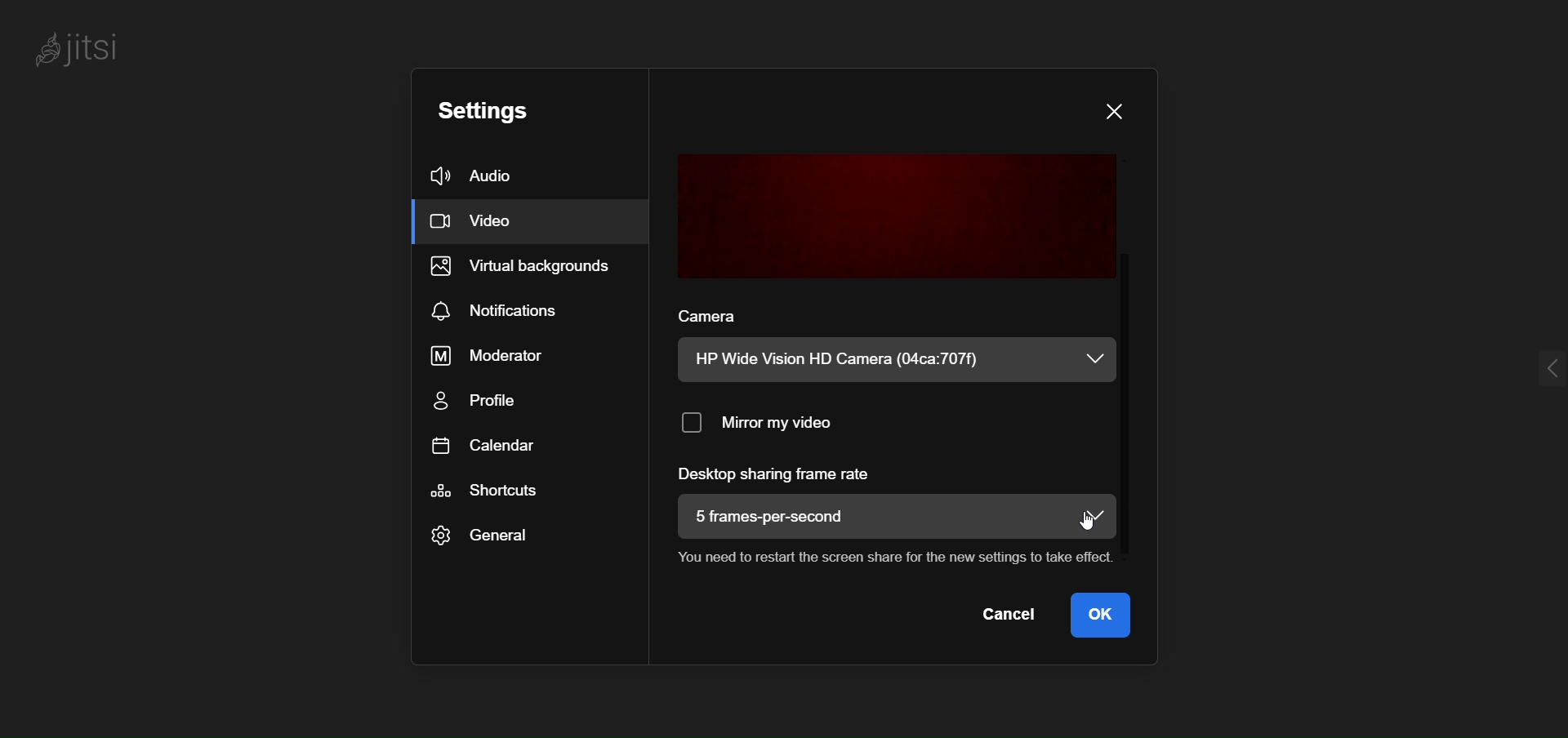 This screenshot has width=1568, height=738. I want to click on shortcut, so click(488, 491).